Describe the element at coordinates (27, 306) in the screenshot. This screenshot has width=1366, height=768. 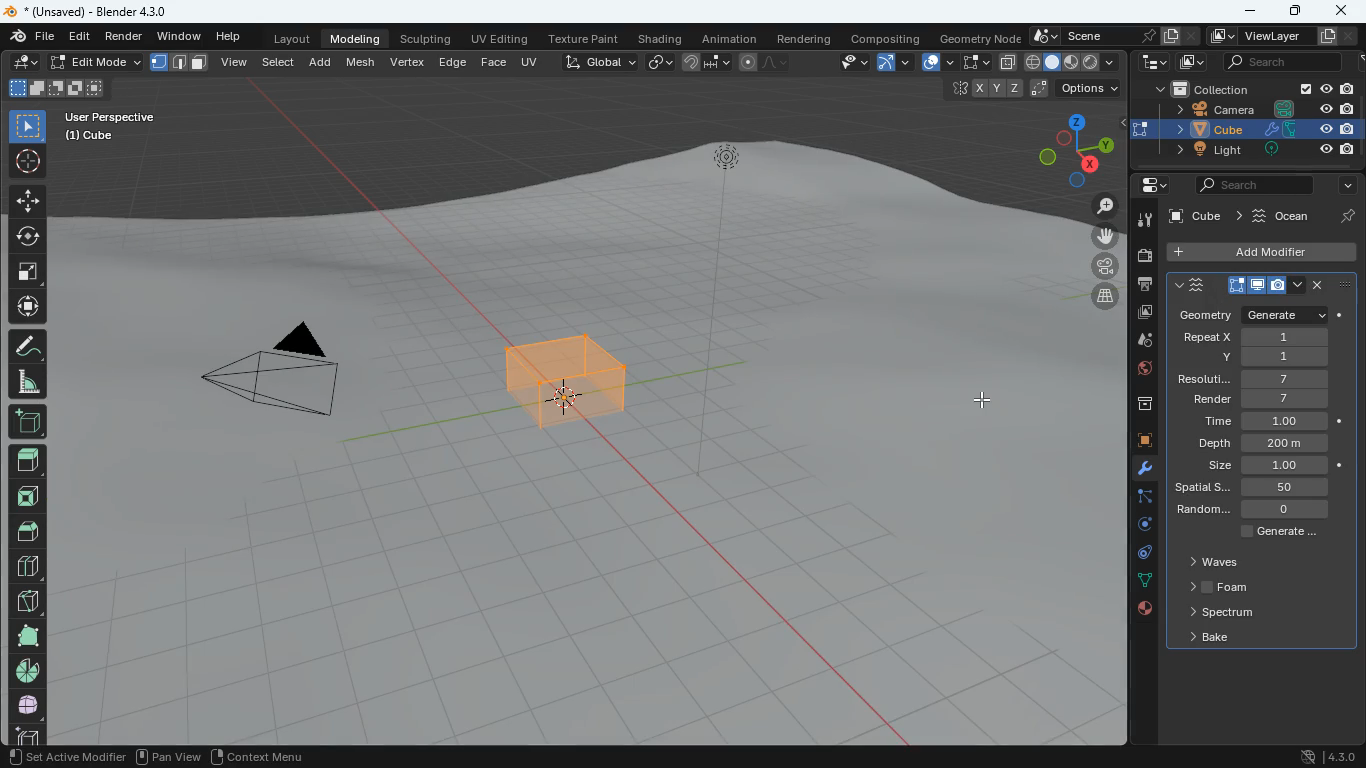
I see `move` at that location.